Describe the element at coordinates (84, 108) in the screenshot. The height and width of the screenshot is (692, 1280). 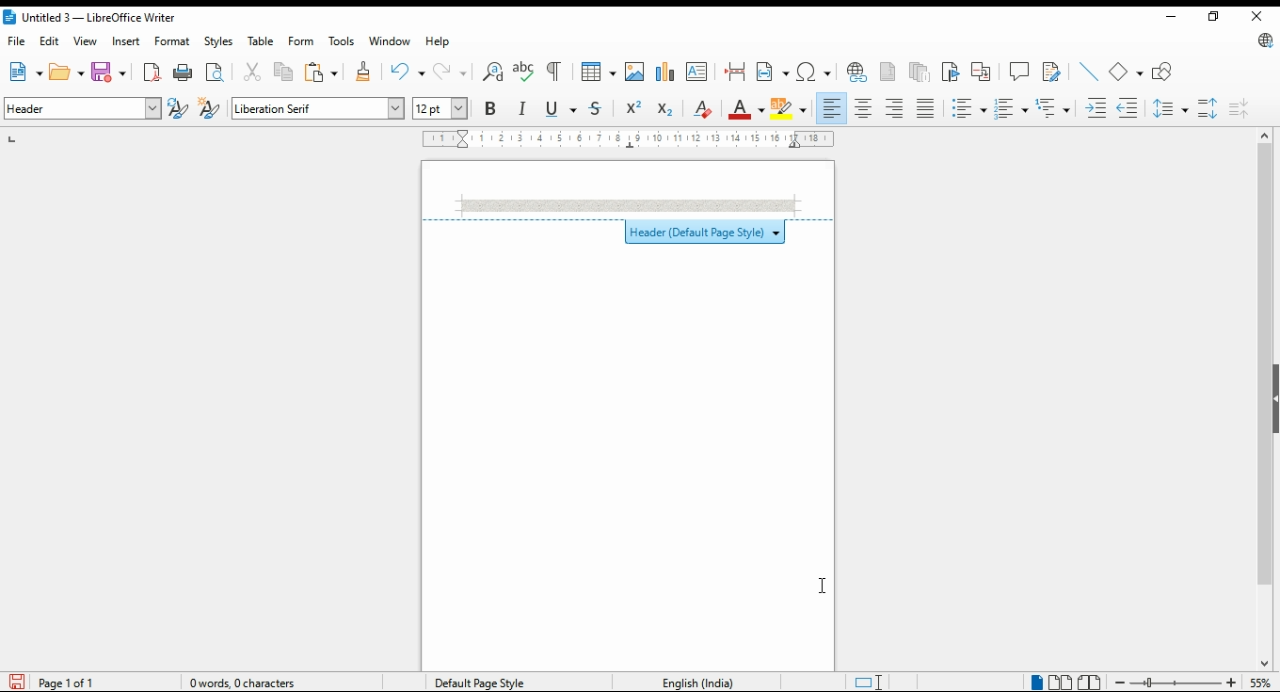
I see `paragraph style` at that location.